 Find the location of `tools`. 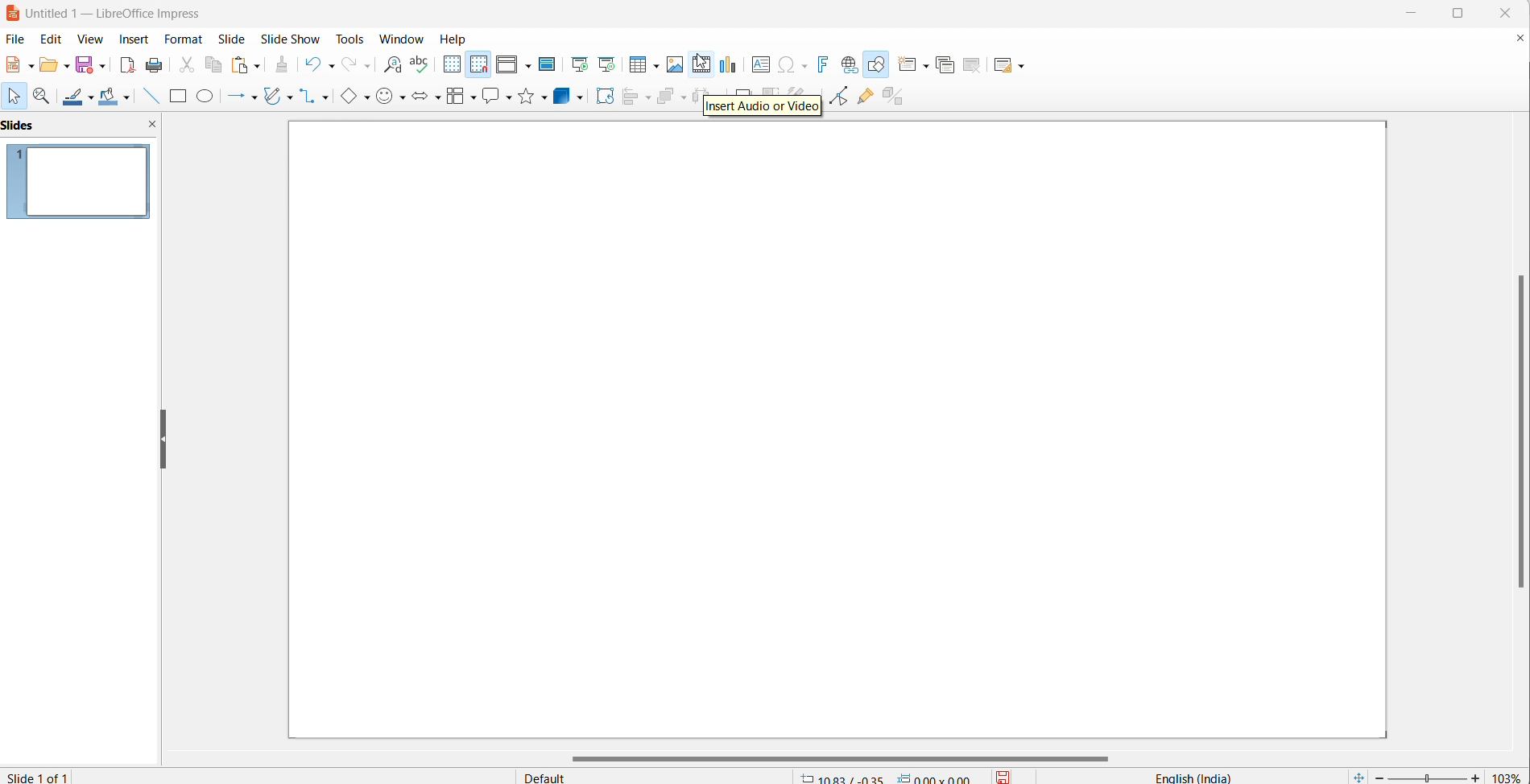

tools is located at coordinates (345, 39).